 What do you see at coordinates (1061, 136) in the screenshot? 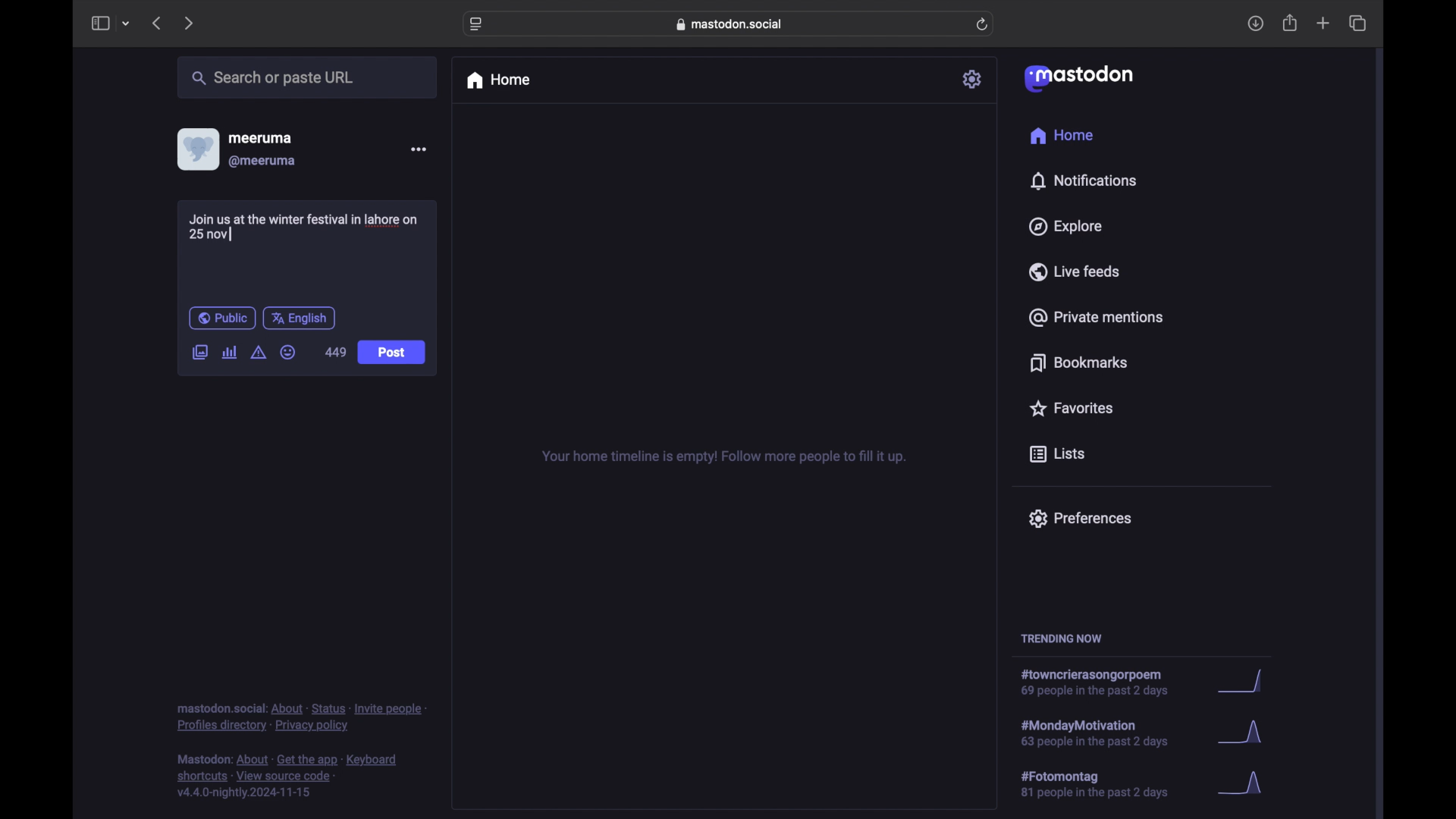
I see `home` at bounding box center [1061, 136].